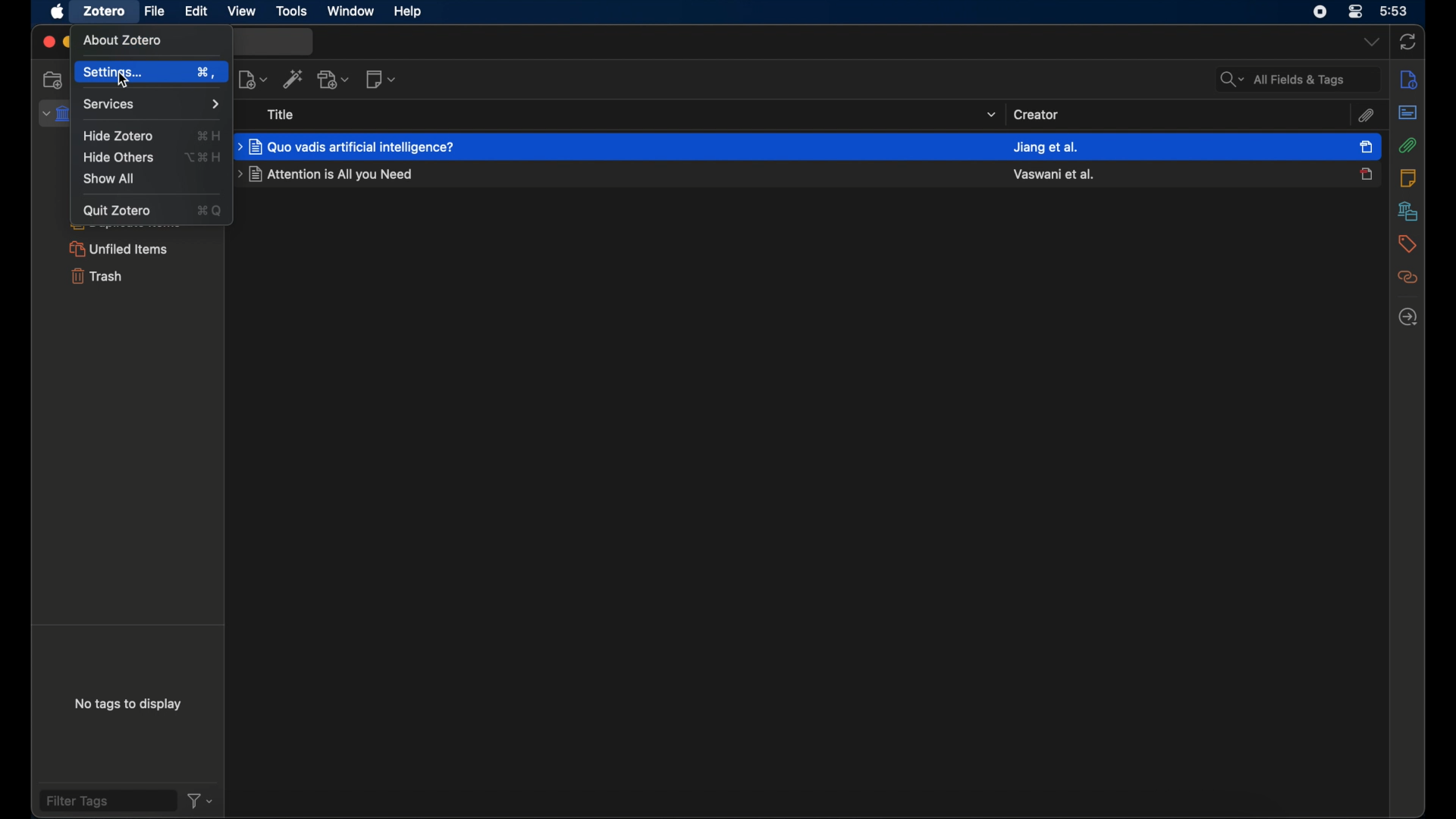 This screenshot has width=1456, height=819. What do you see at coordinates (47, 41) in the screenshot?
I see `close` at bounding box center [47, 41].